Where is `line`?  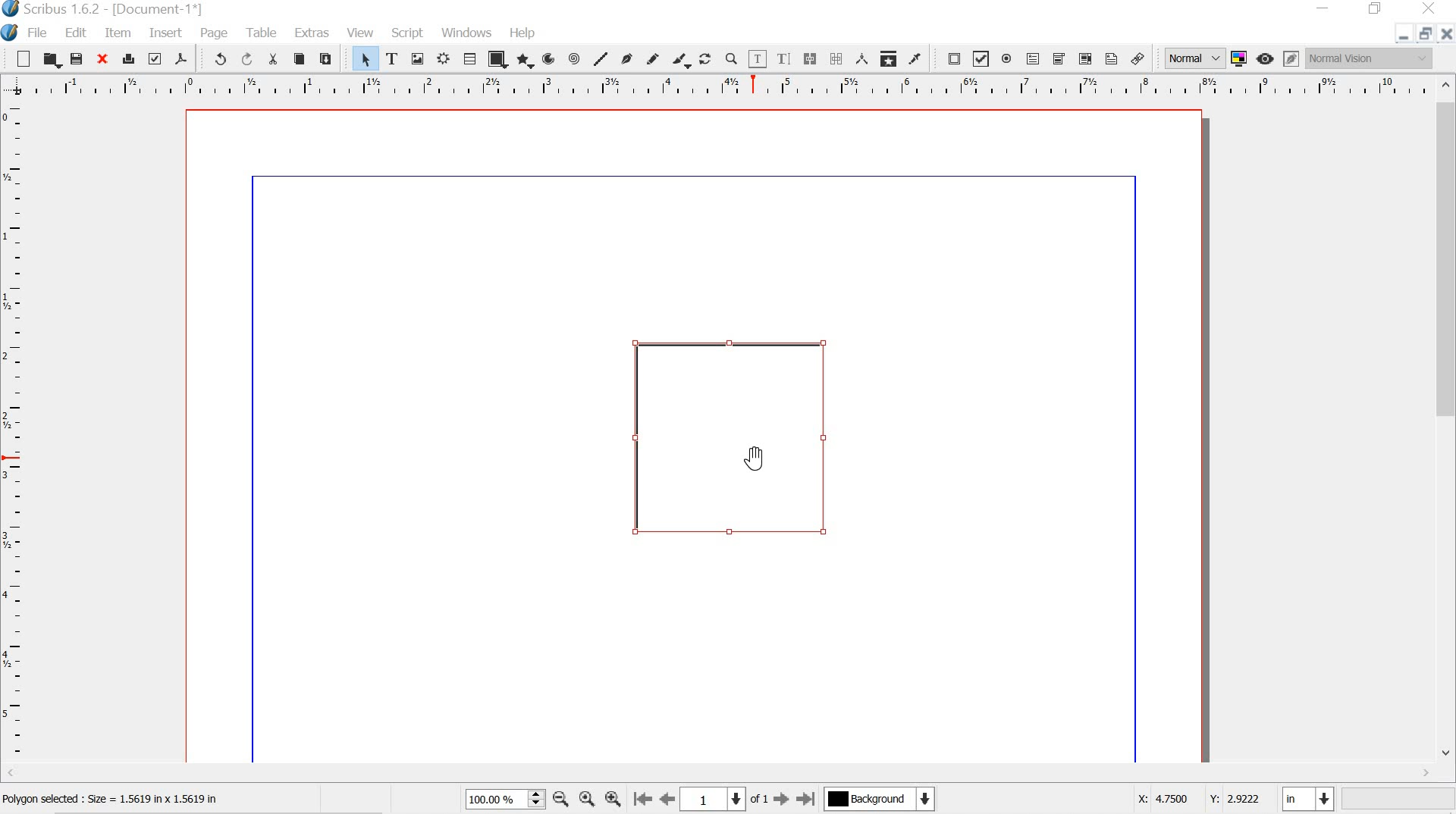
line is located at coordinates (601, 58).